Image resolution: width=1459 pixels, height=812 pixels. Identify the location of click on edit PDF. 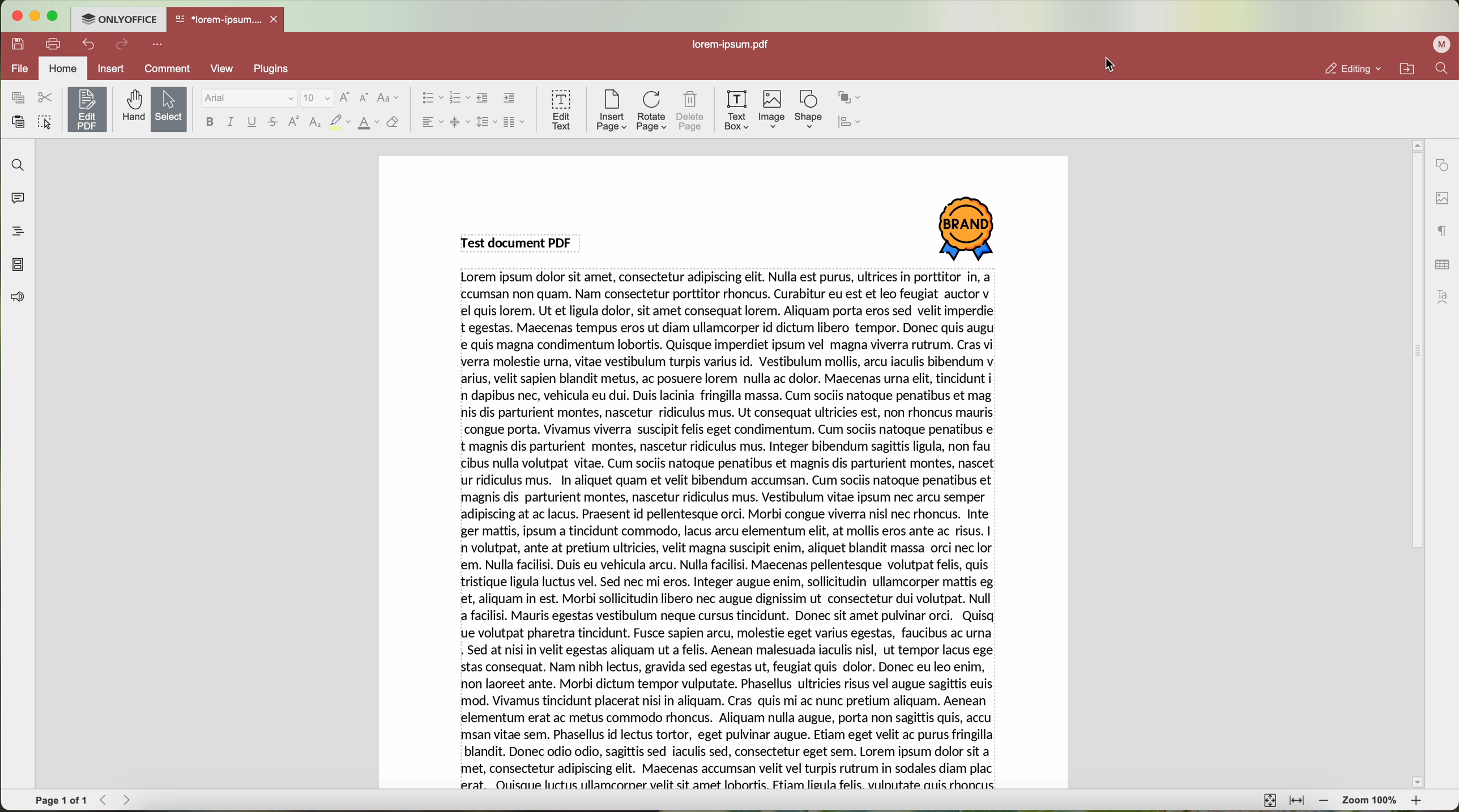
(88, 111).